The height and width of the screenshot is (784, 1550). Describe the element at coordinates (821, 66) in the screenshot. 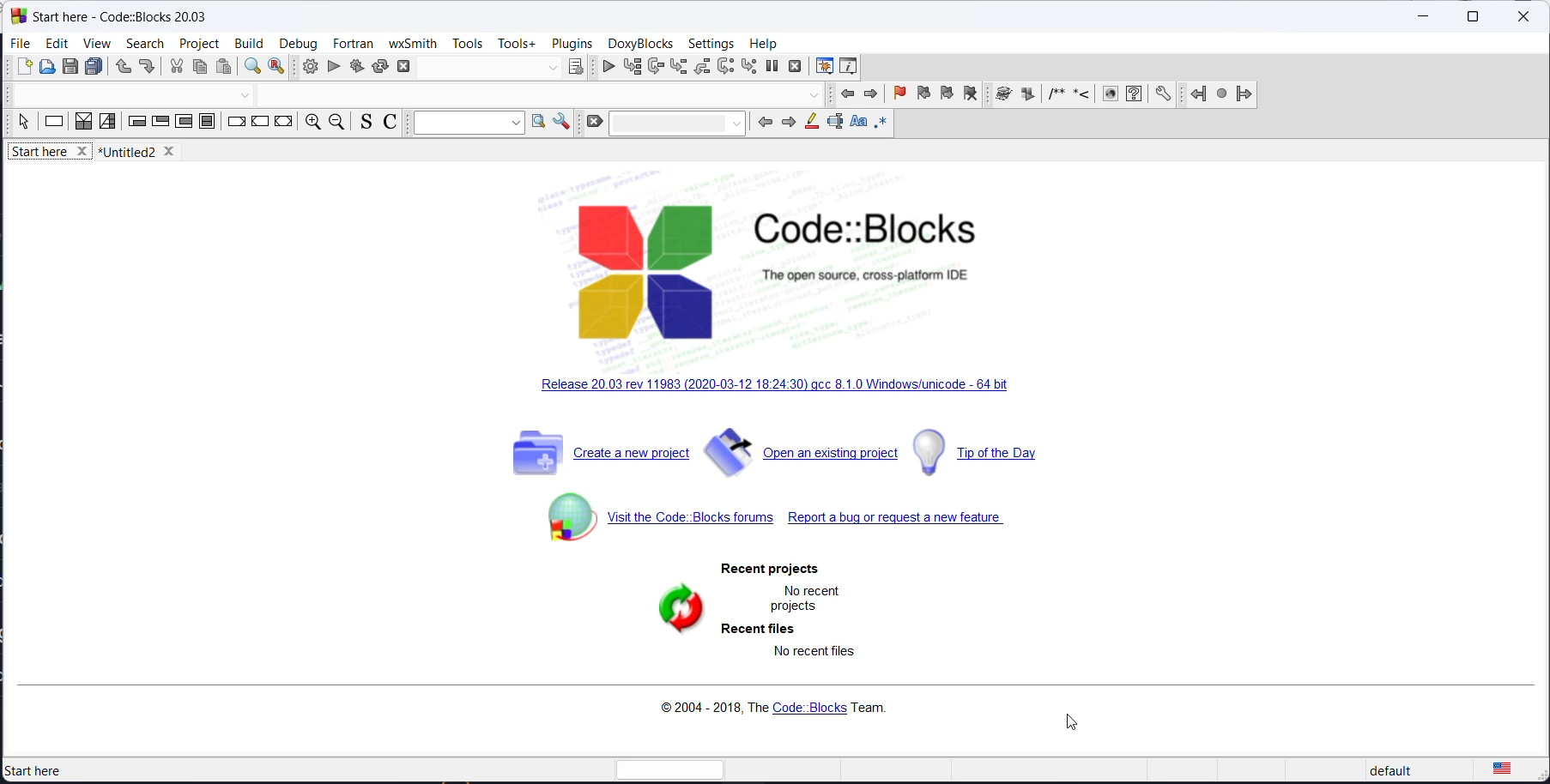

I see `debugger window` at that location.